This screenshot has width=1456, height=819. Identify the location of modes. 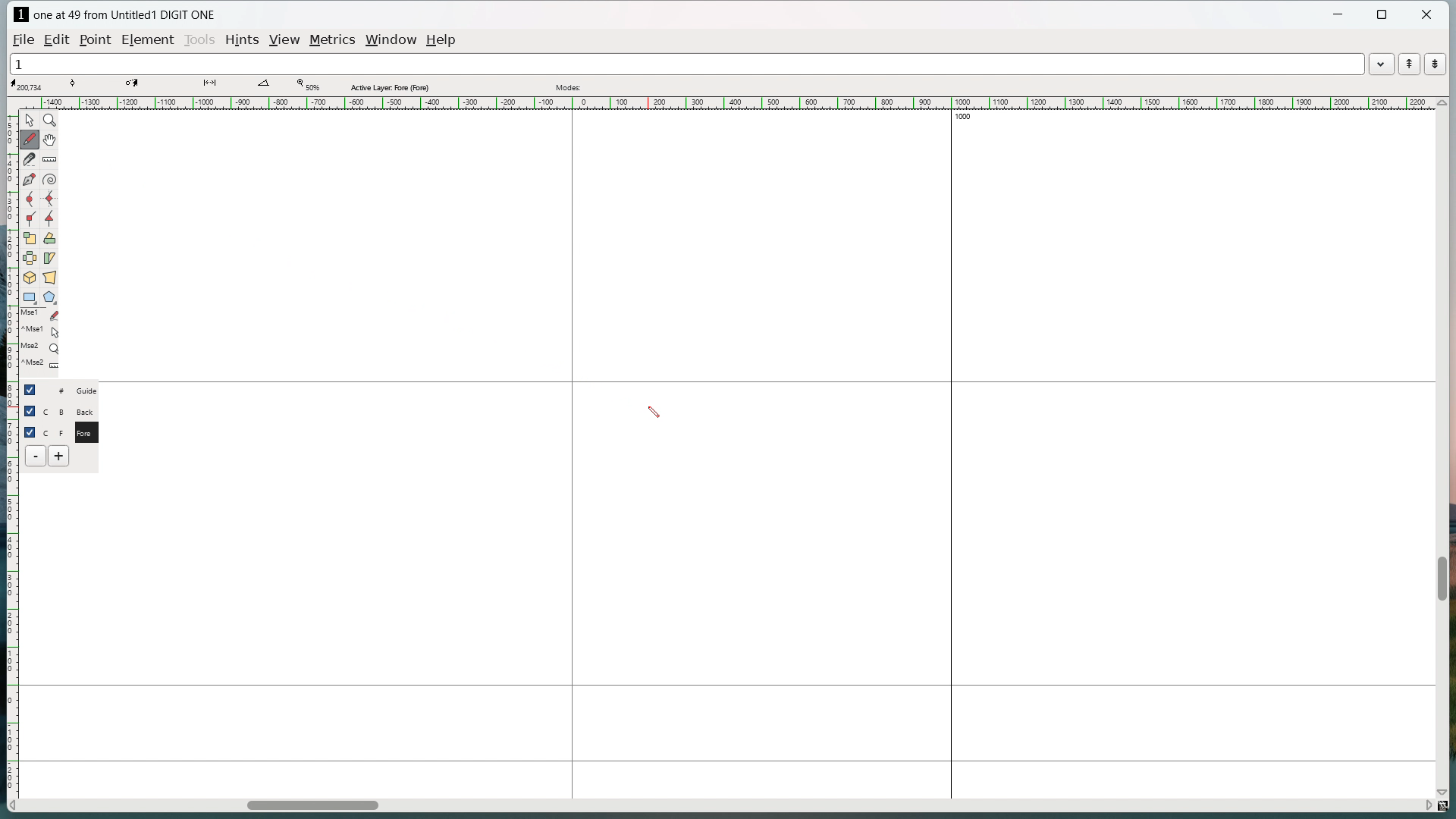
(570, 87).